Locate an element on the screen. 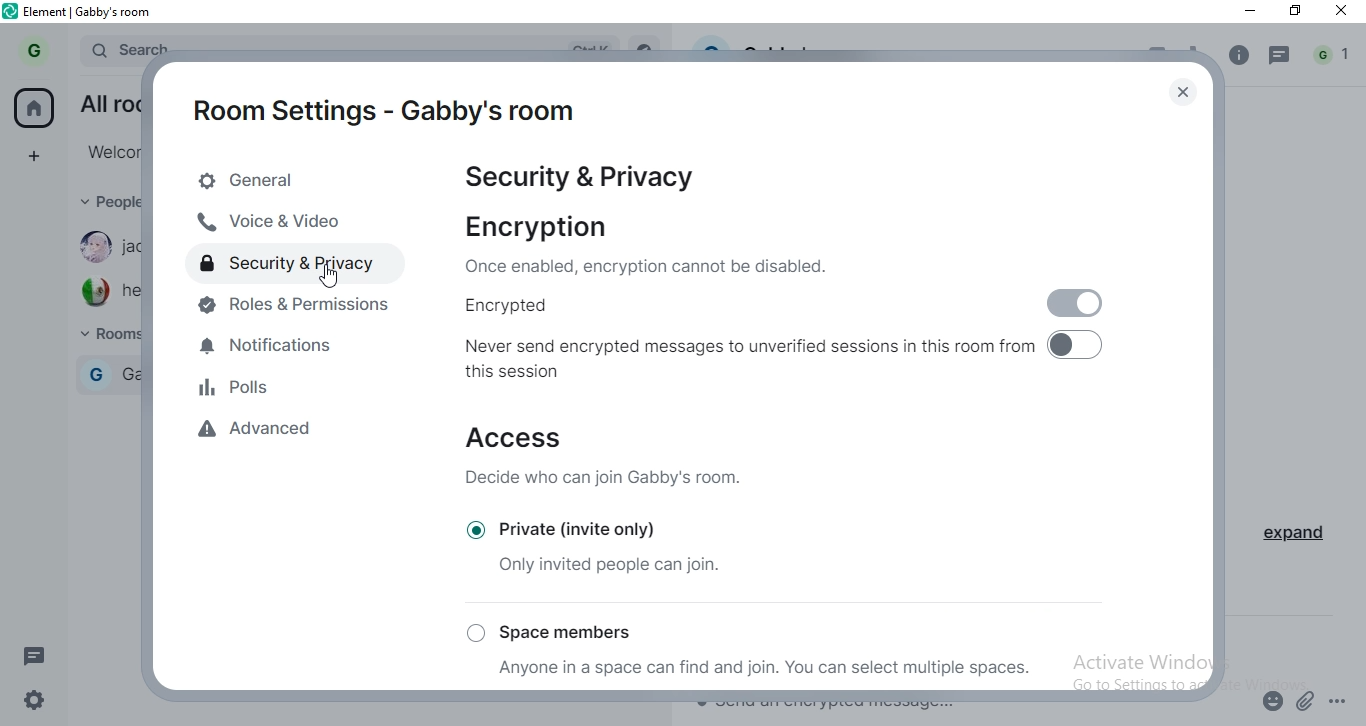 This screenshot has width=1366, height=726. access is located at coordinates (618, 458).